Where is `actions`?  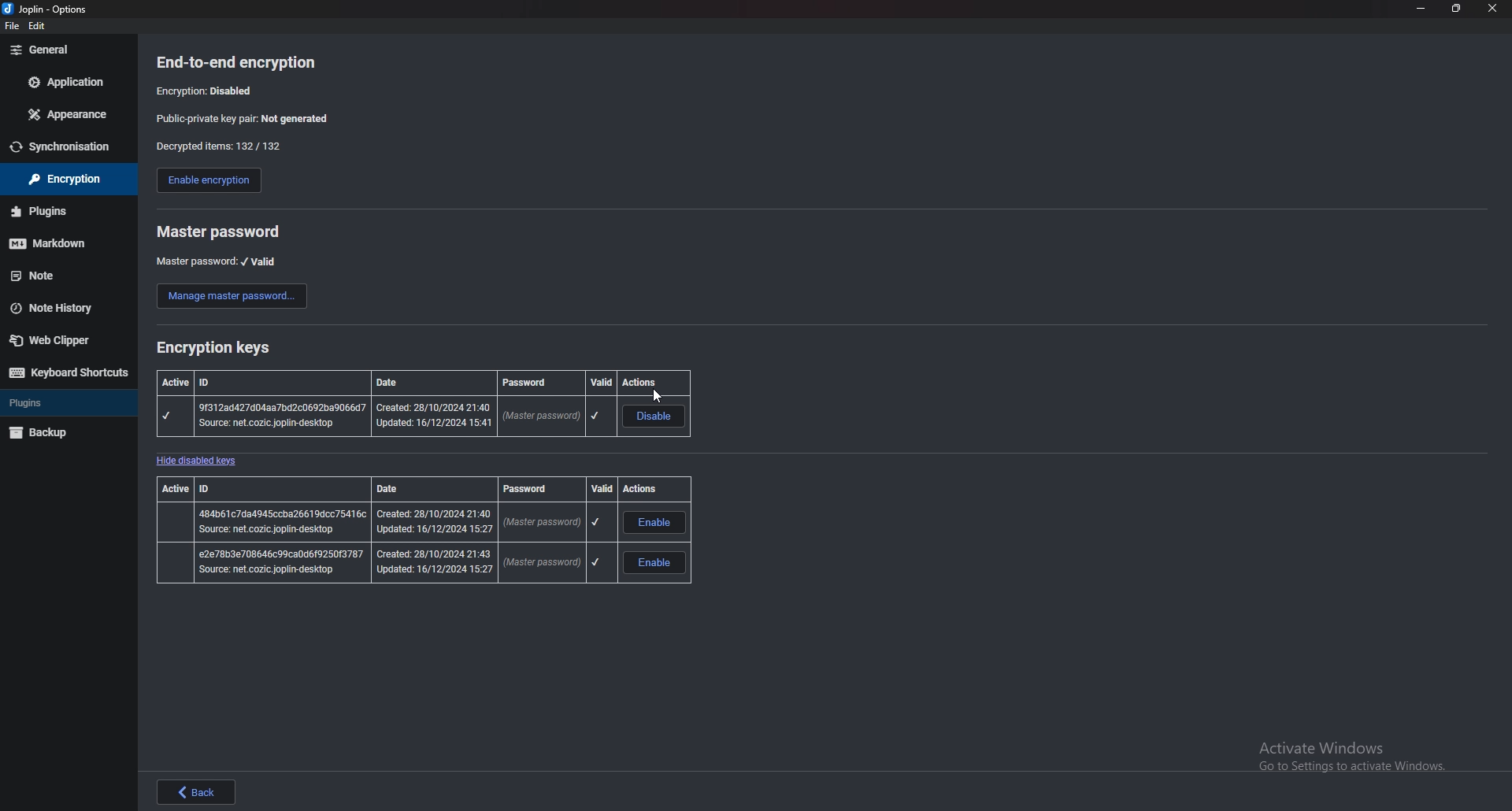
actions is located at coordinates (653, 487).